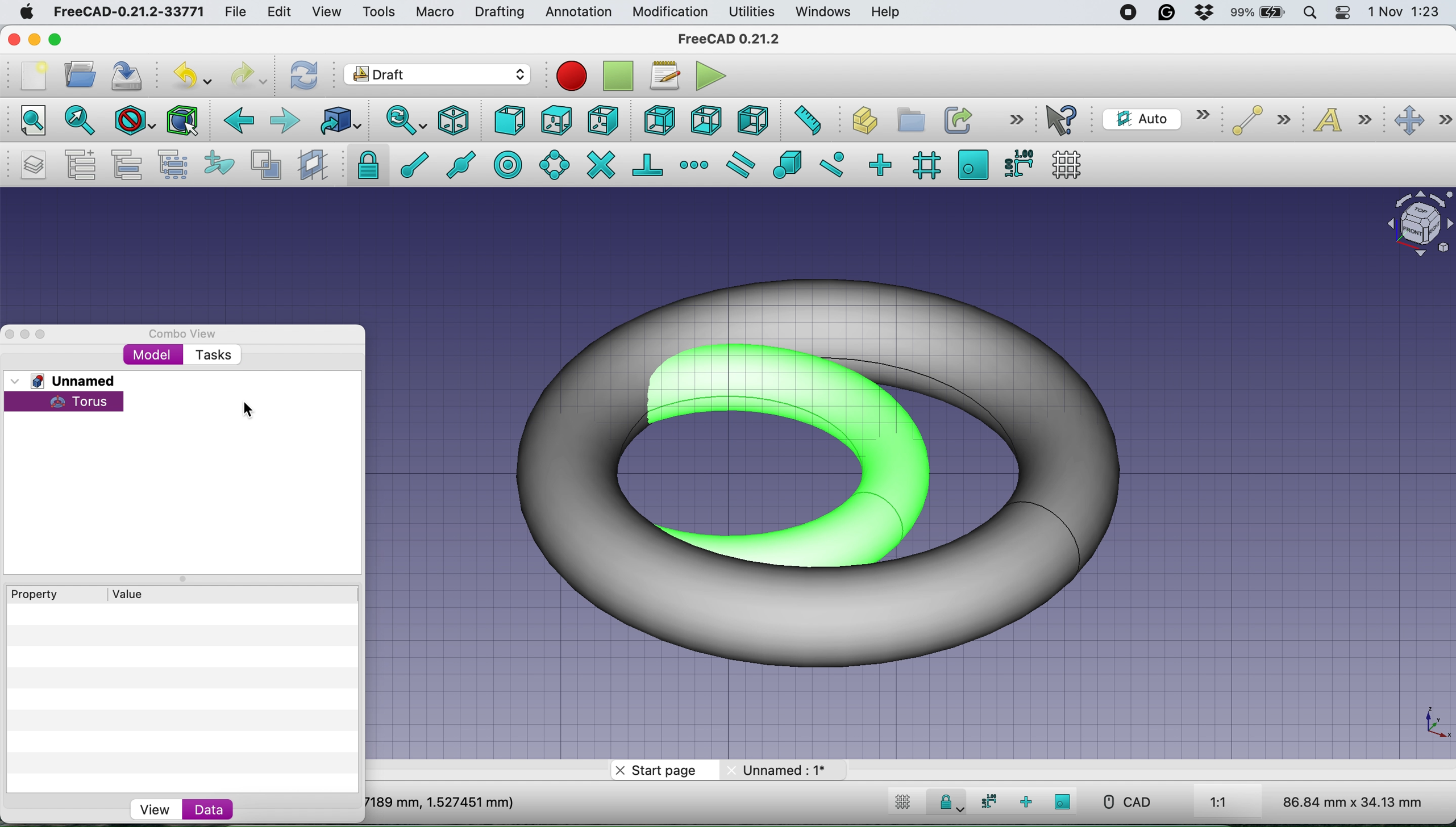  Describe the element at coordinates (216, 355) in the screenshot. I see `tasks` at that location.